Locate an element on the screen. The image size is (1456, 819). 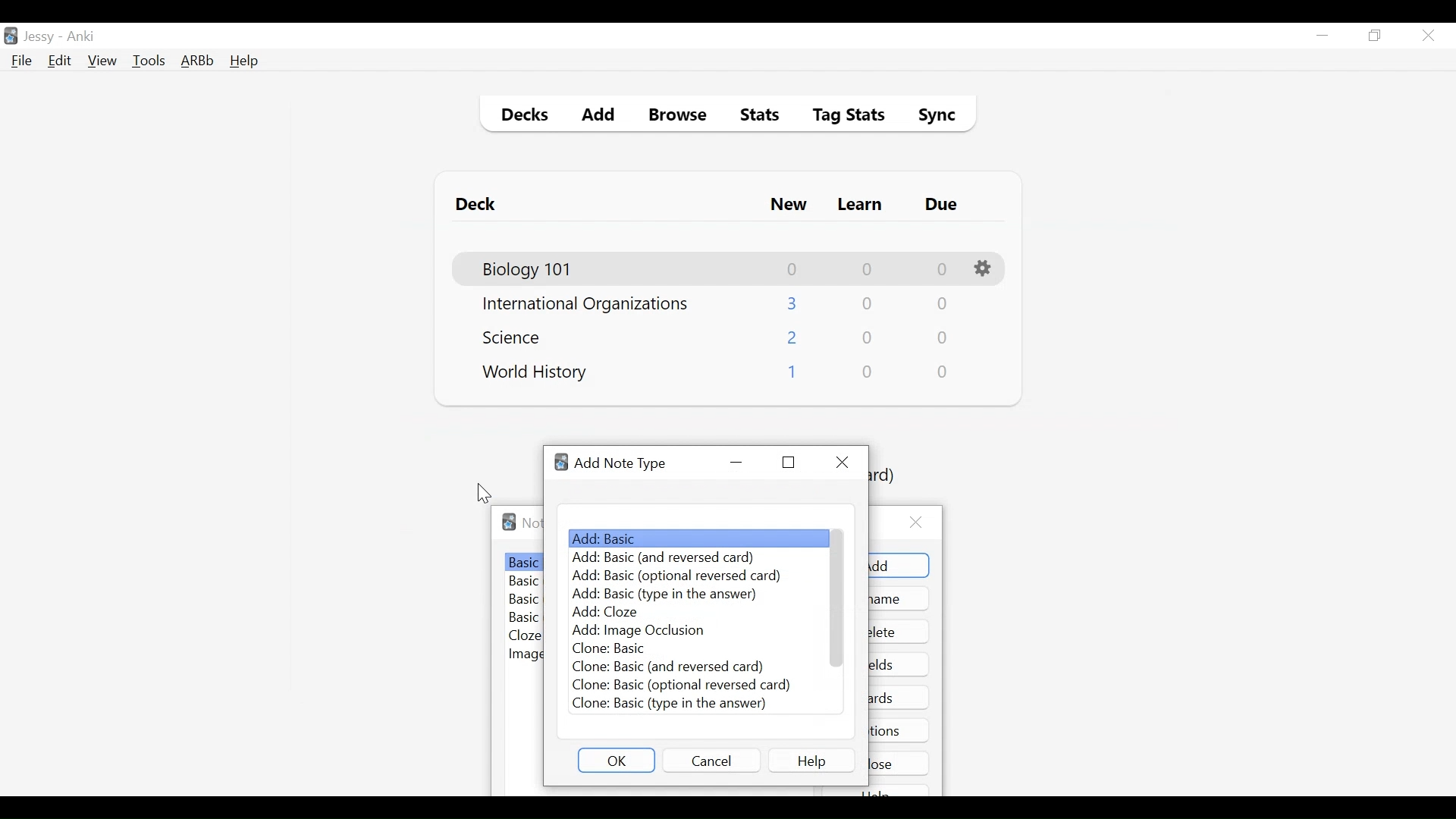
minimize is located at coordinates (1322, 36).